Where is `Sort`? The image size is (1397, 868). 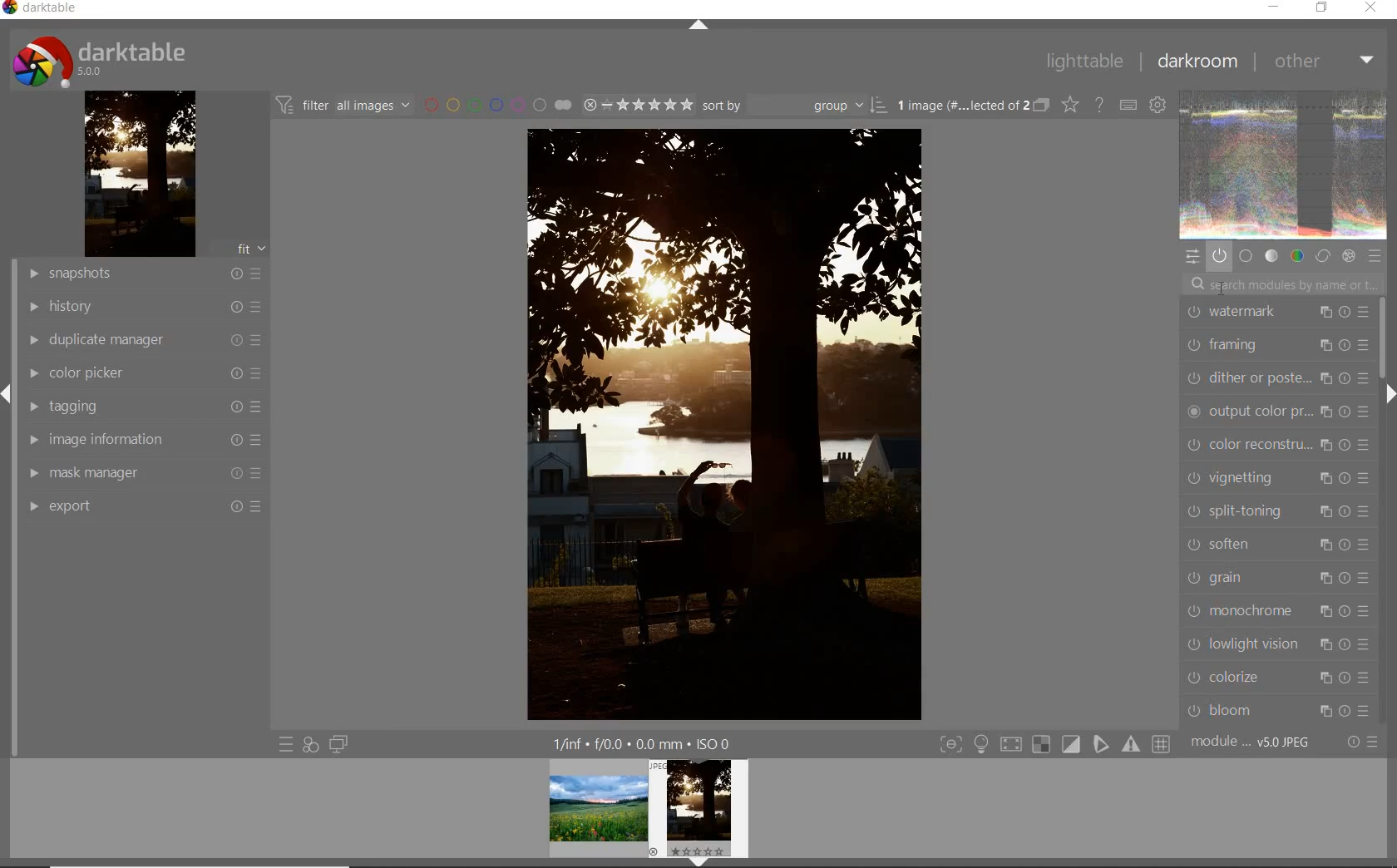
Sort is located at coordinates (794, 106).